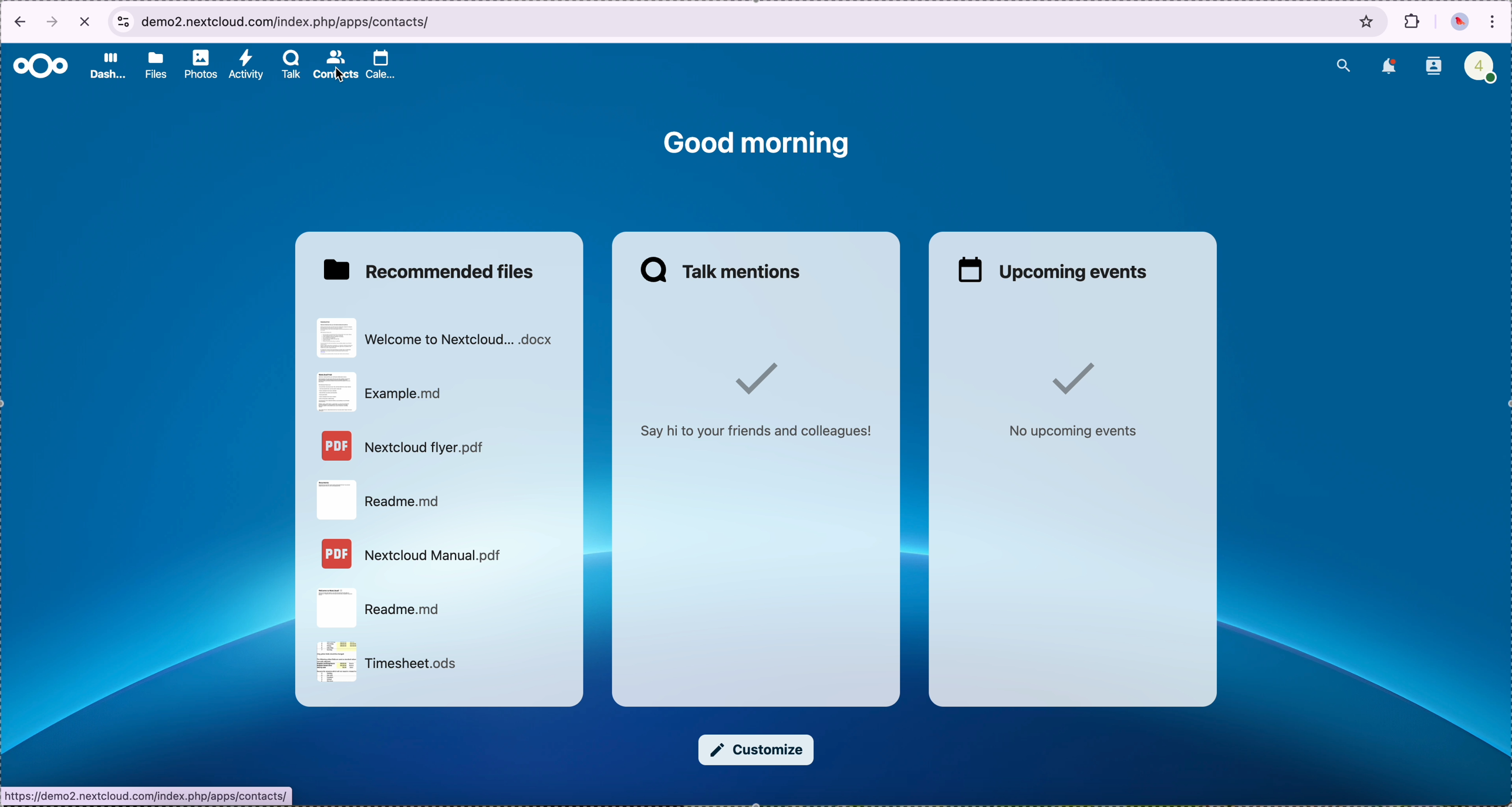 Image resolution: width=1512 pixels, height=807 pixels. Describe the element at coordinates (441, 340) in the screenshot. I see `file` at that location.